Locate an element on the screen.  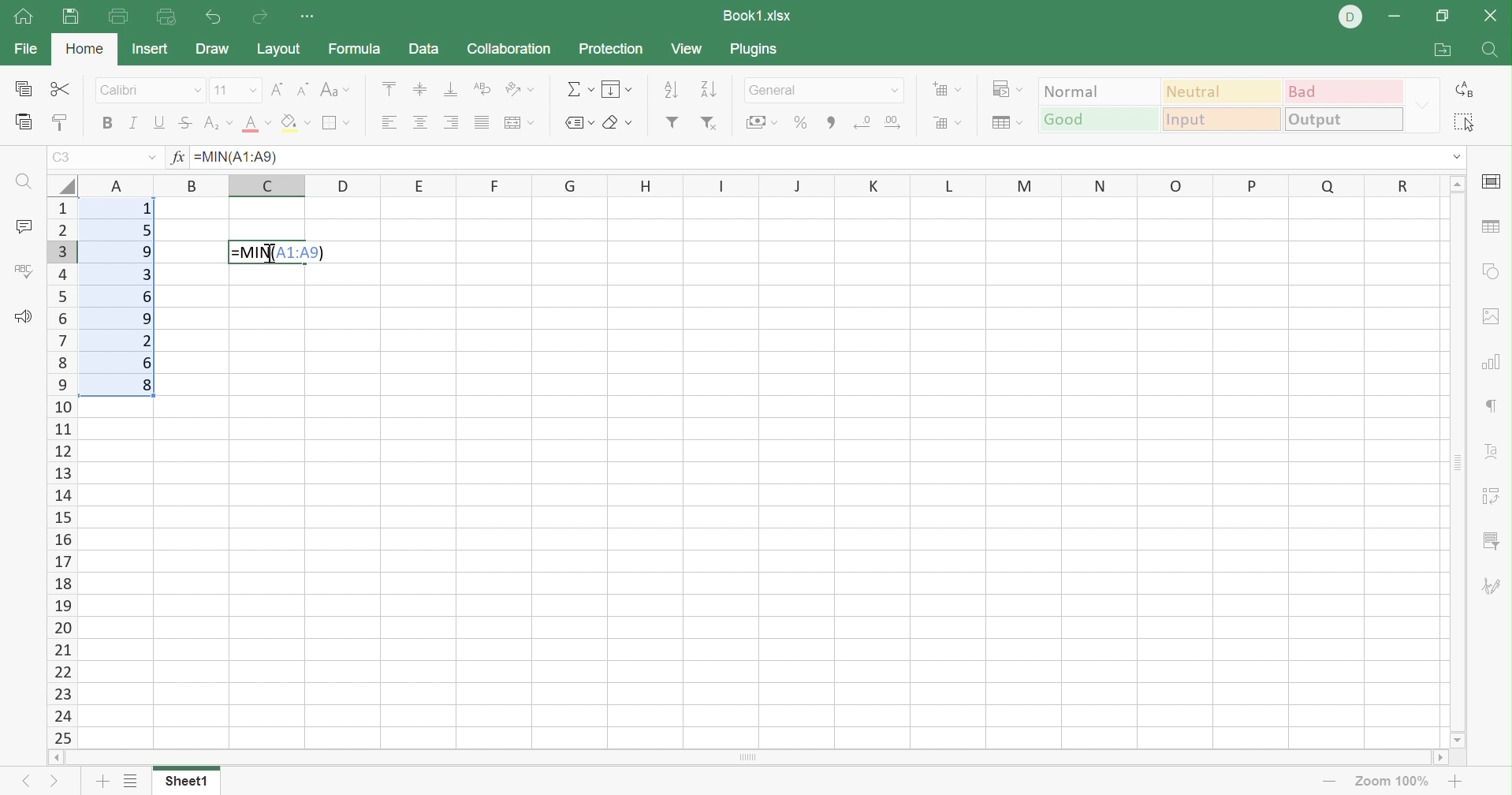
Format as table template is located at coordinates (1004, 125).